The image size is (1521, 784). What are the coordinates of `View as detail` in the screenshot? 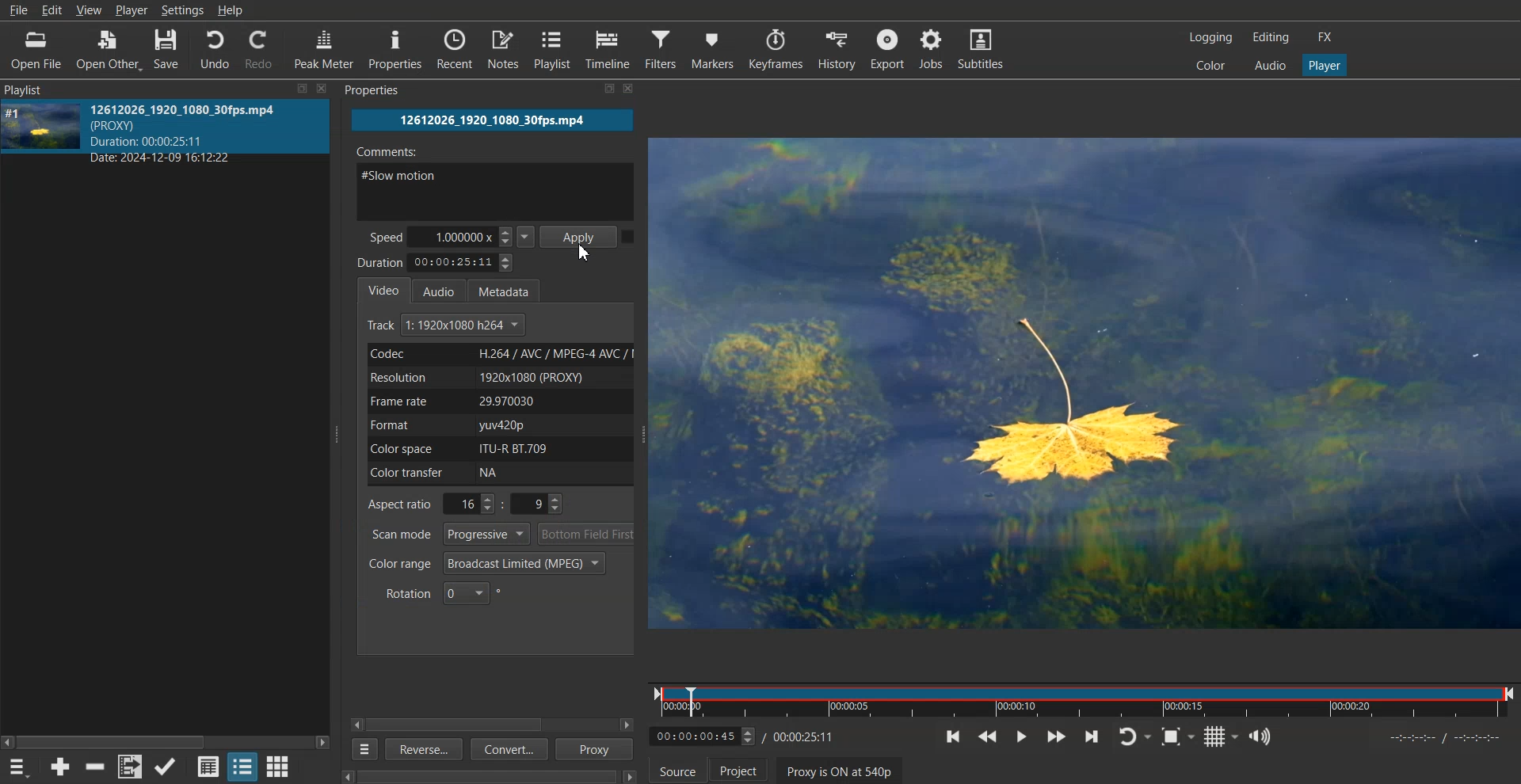 It's located at (208, 766).